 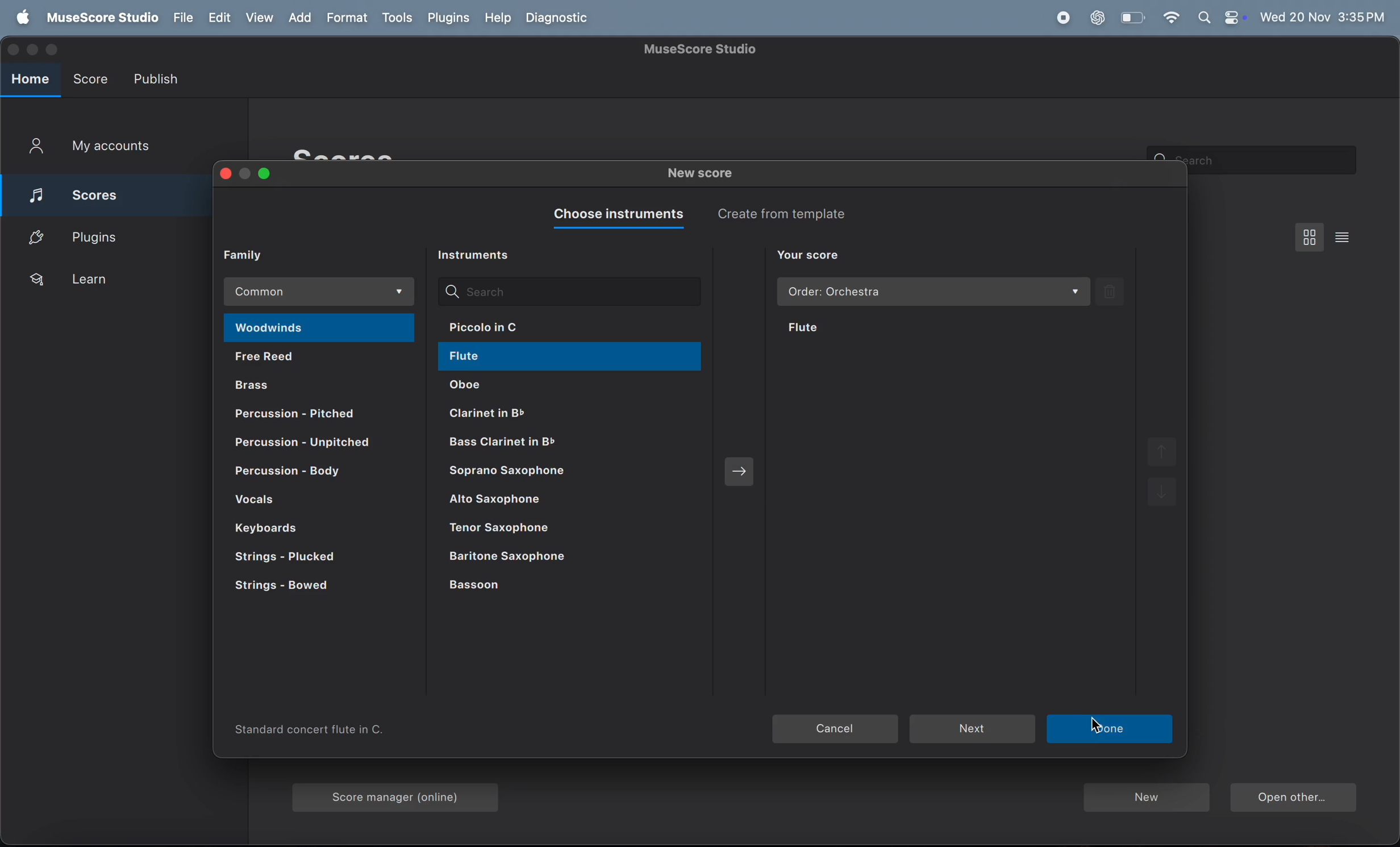 What do you see at coordinates (90, 76) in the screenshot?
I see `score` at bounding box center [90, 76].